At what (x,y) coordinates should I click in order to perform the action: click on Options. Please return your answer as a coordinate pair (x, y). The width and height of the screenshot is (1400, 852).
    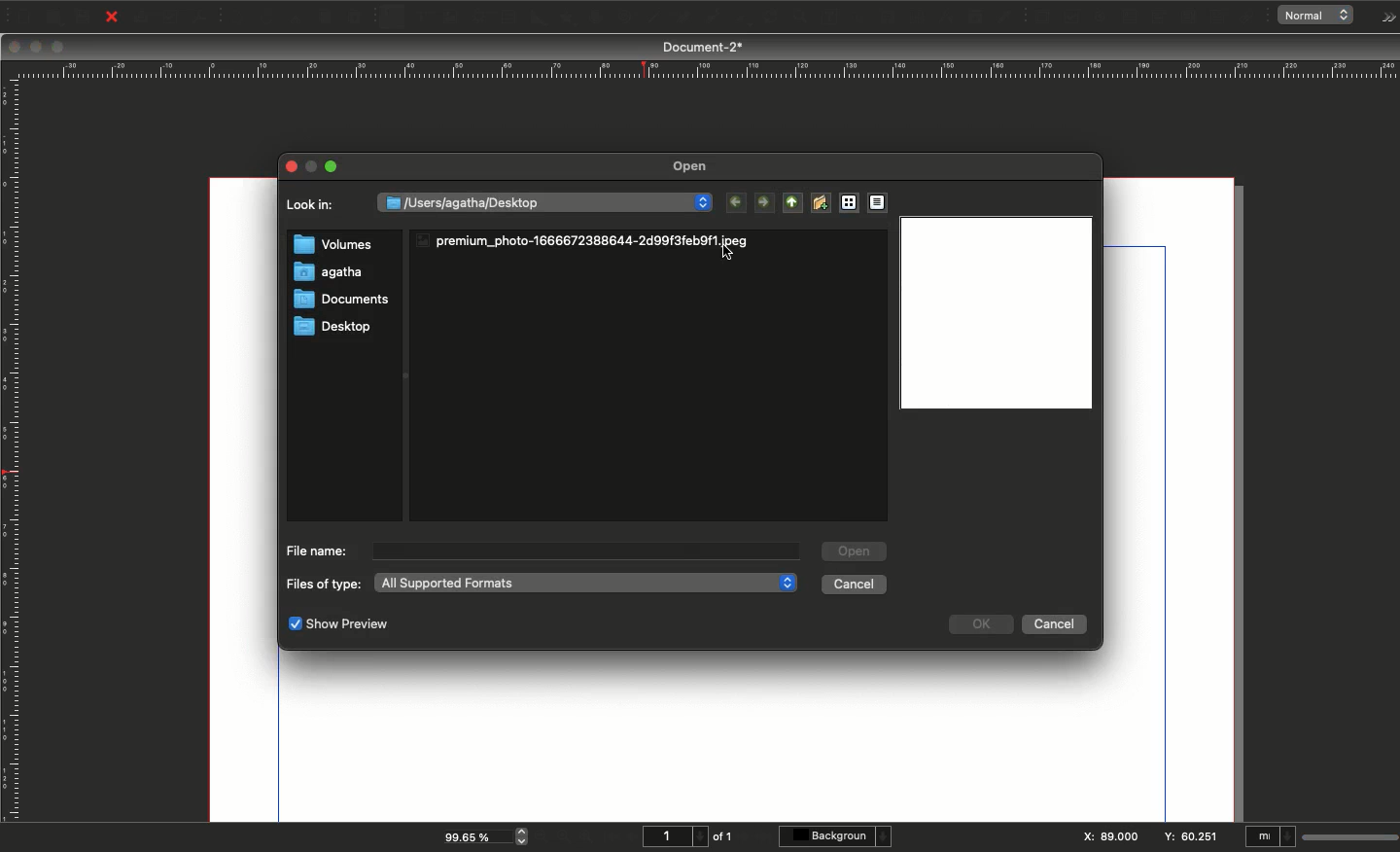
    Looking at the image, I should click on (1384, 18).